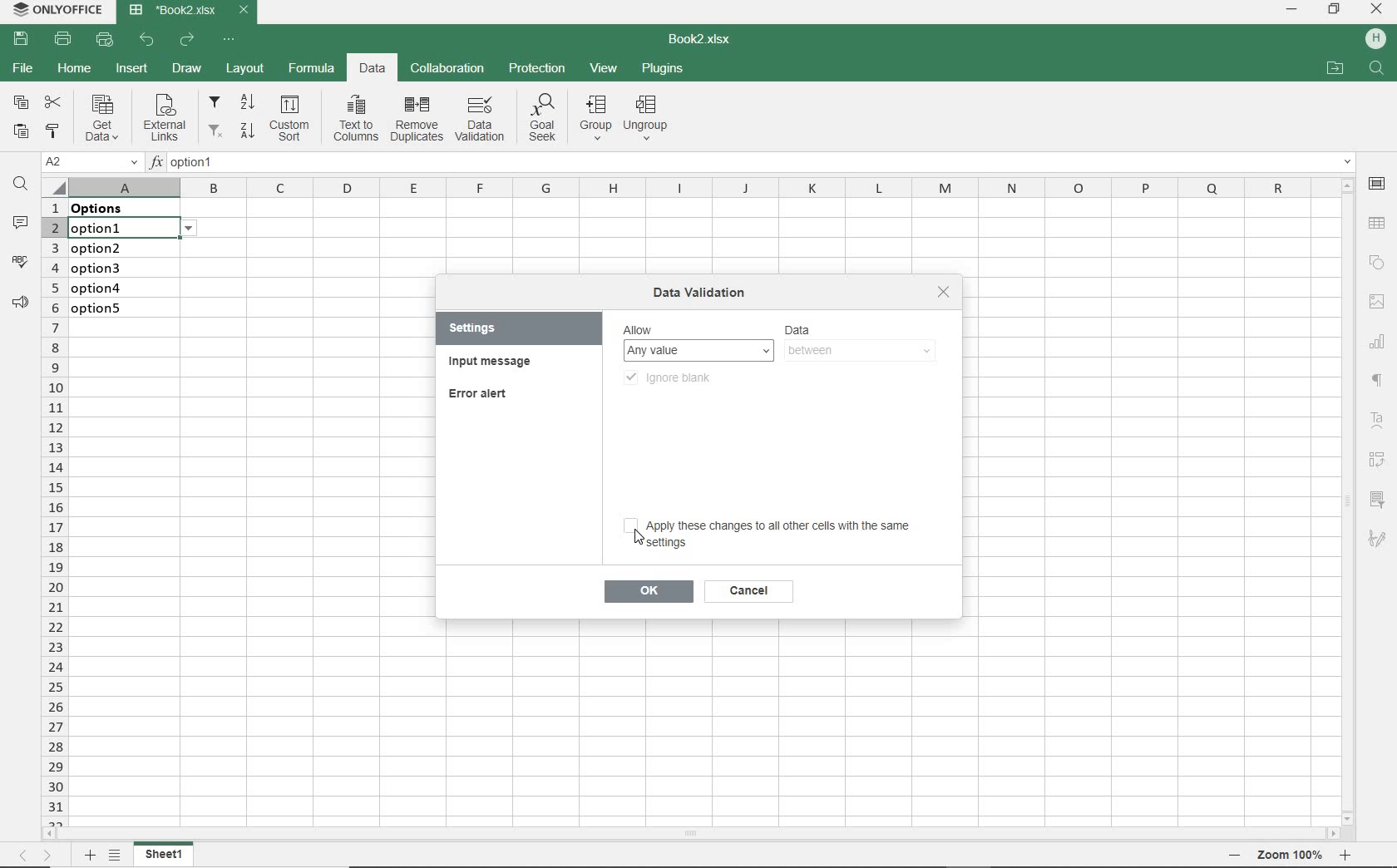  What do you see at coordinates (90, 856) in the screenshot?
I see `ADD SHEET` at bounding box center [90, 856].